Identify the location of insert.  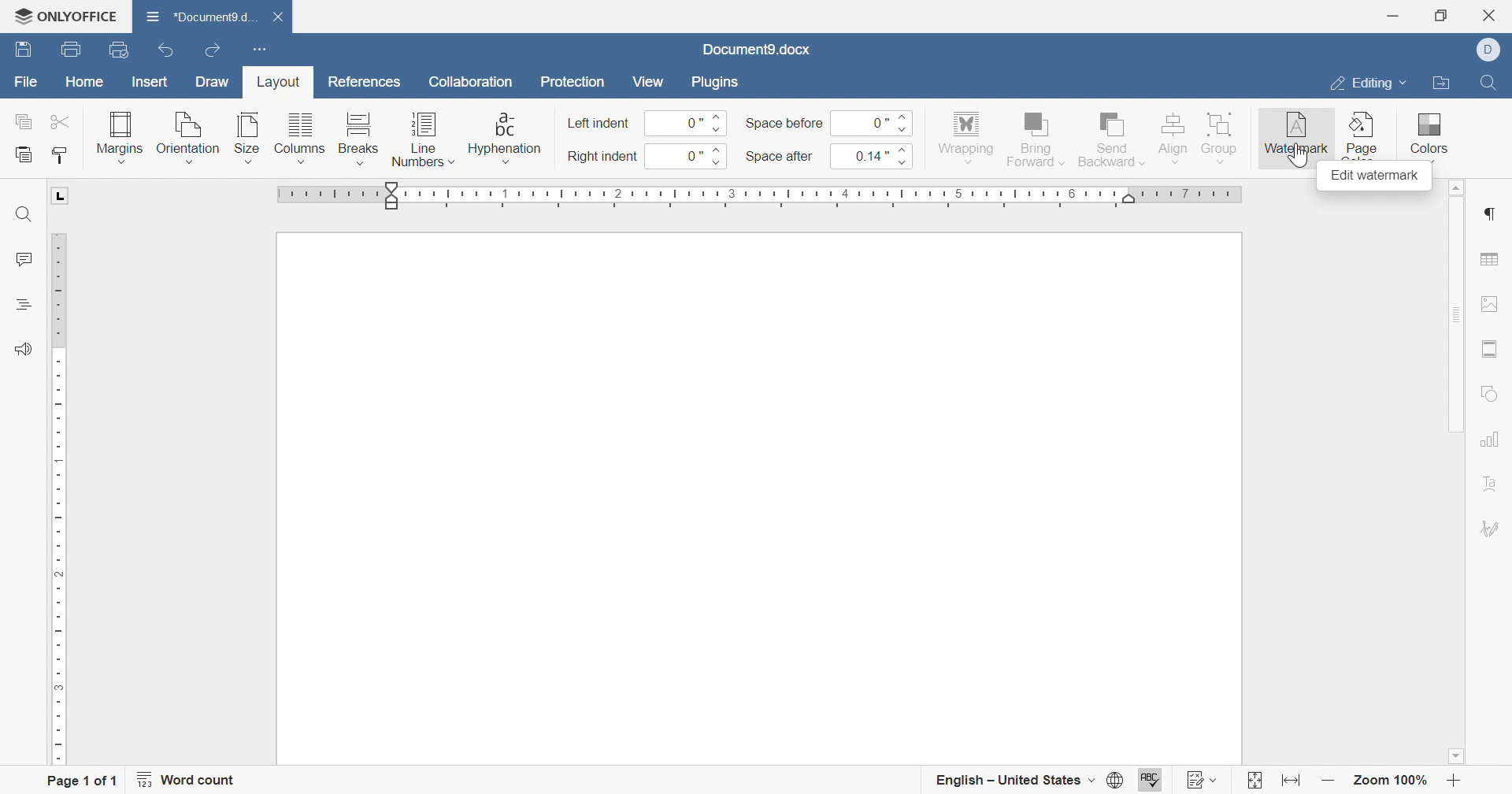
(146, 83).